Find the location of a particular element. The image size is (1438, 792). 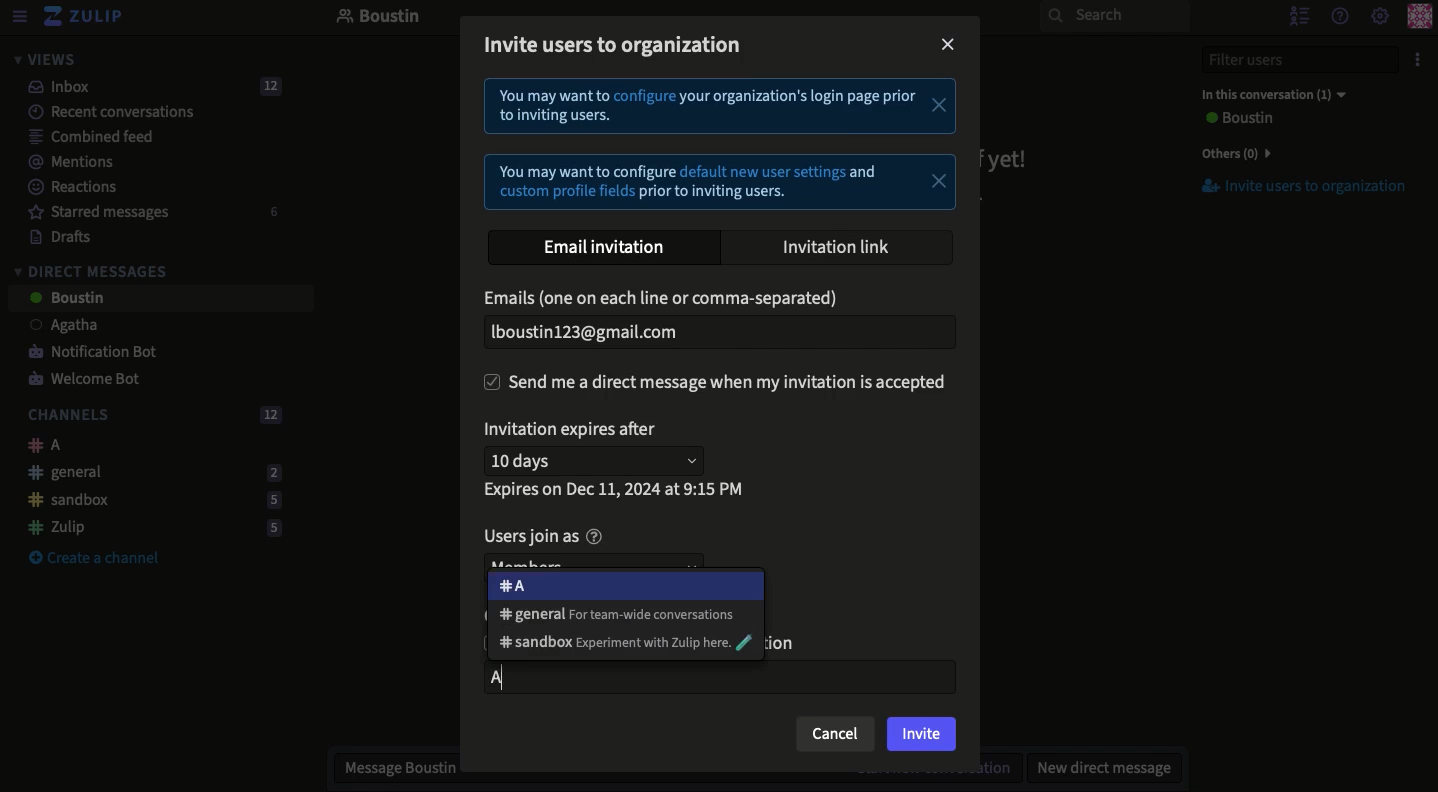

Help is located at coordinates (1338, 15).